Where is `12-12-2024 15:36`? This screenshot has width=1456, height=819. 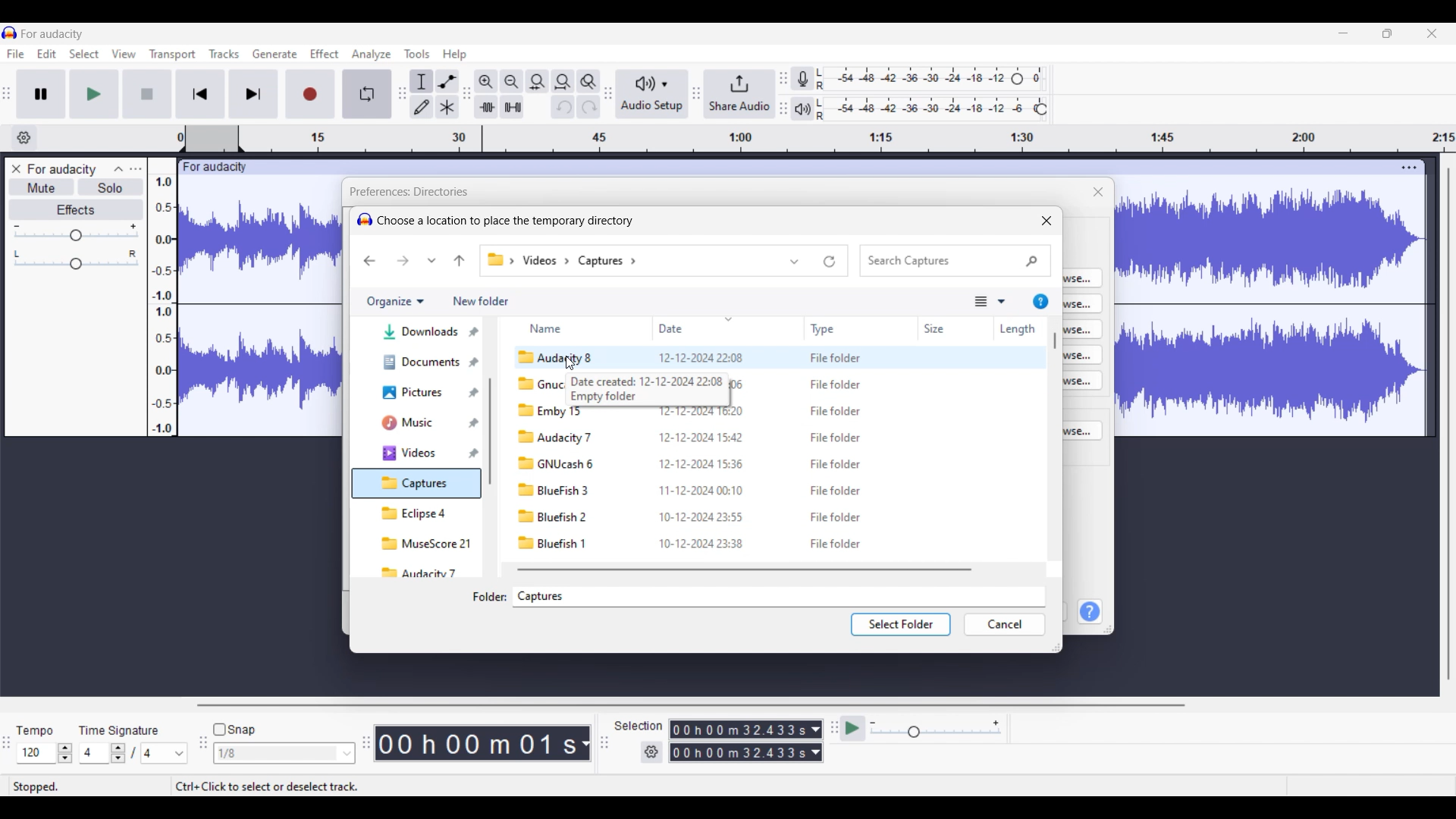 12-12-2024 15:36 is located at coordinates (703, 463).